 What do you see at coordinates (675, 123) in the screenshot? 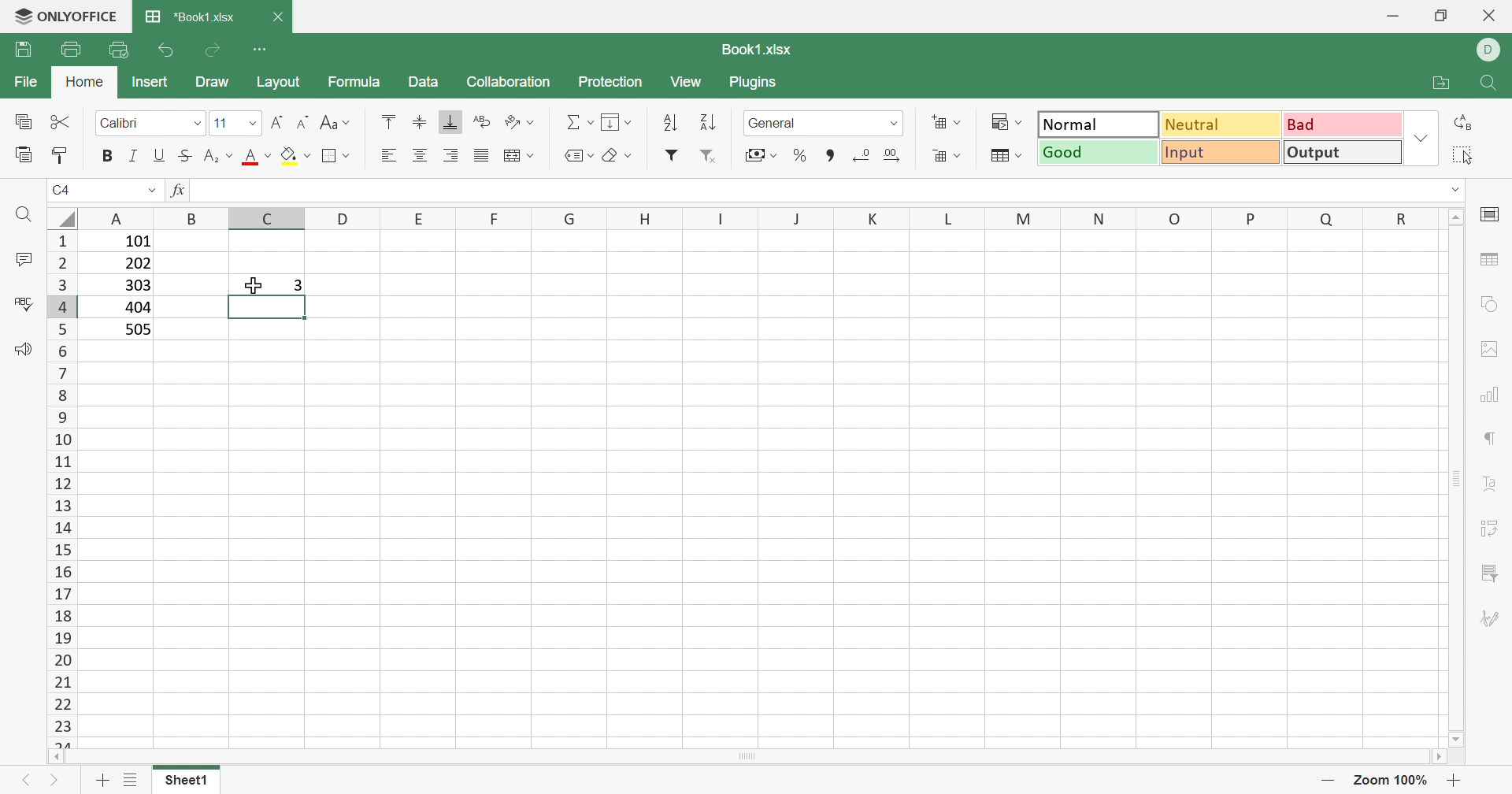
I see `Ascending order` at bounding box center [675, 123].